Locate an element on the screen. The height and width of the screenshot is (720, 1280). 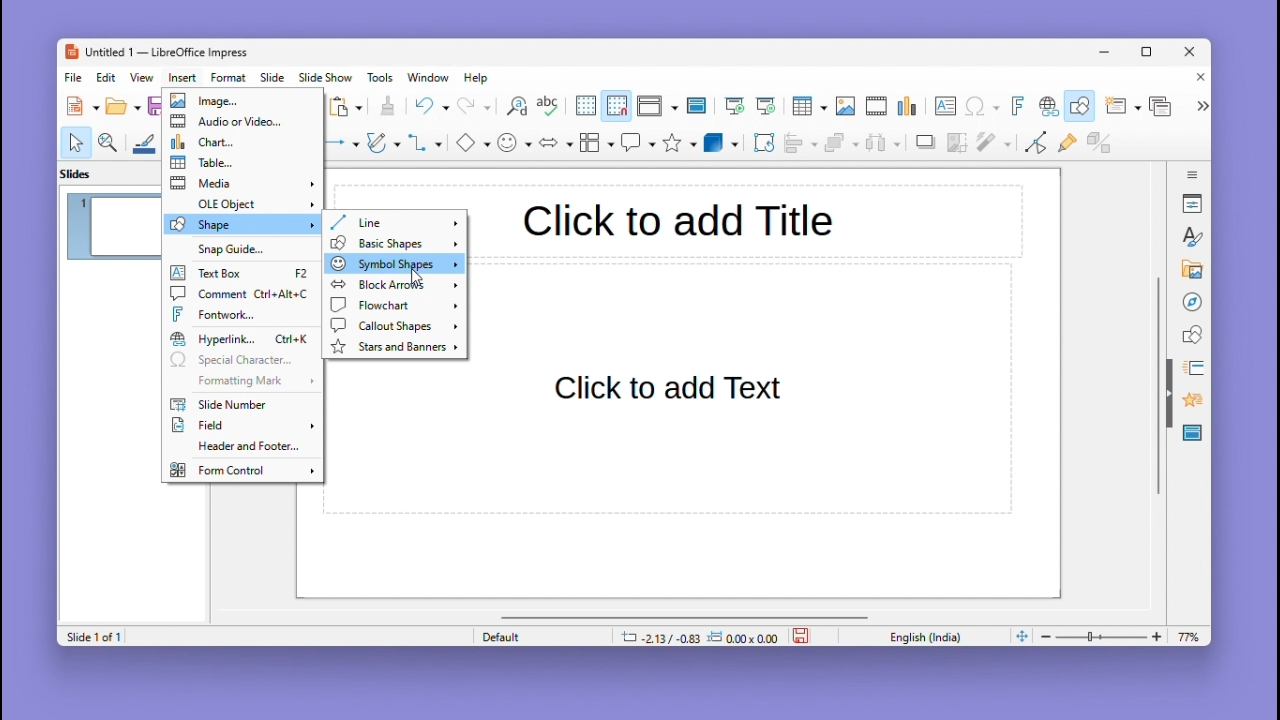
Arrow is located at coordinates (339, 143).